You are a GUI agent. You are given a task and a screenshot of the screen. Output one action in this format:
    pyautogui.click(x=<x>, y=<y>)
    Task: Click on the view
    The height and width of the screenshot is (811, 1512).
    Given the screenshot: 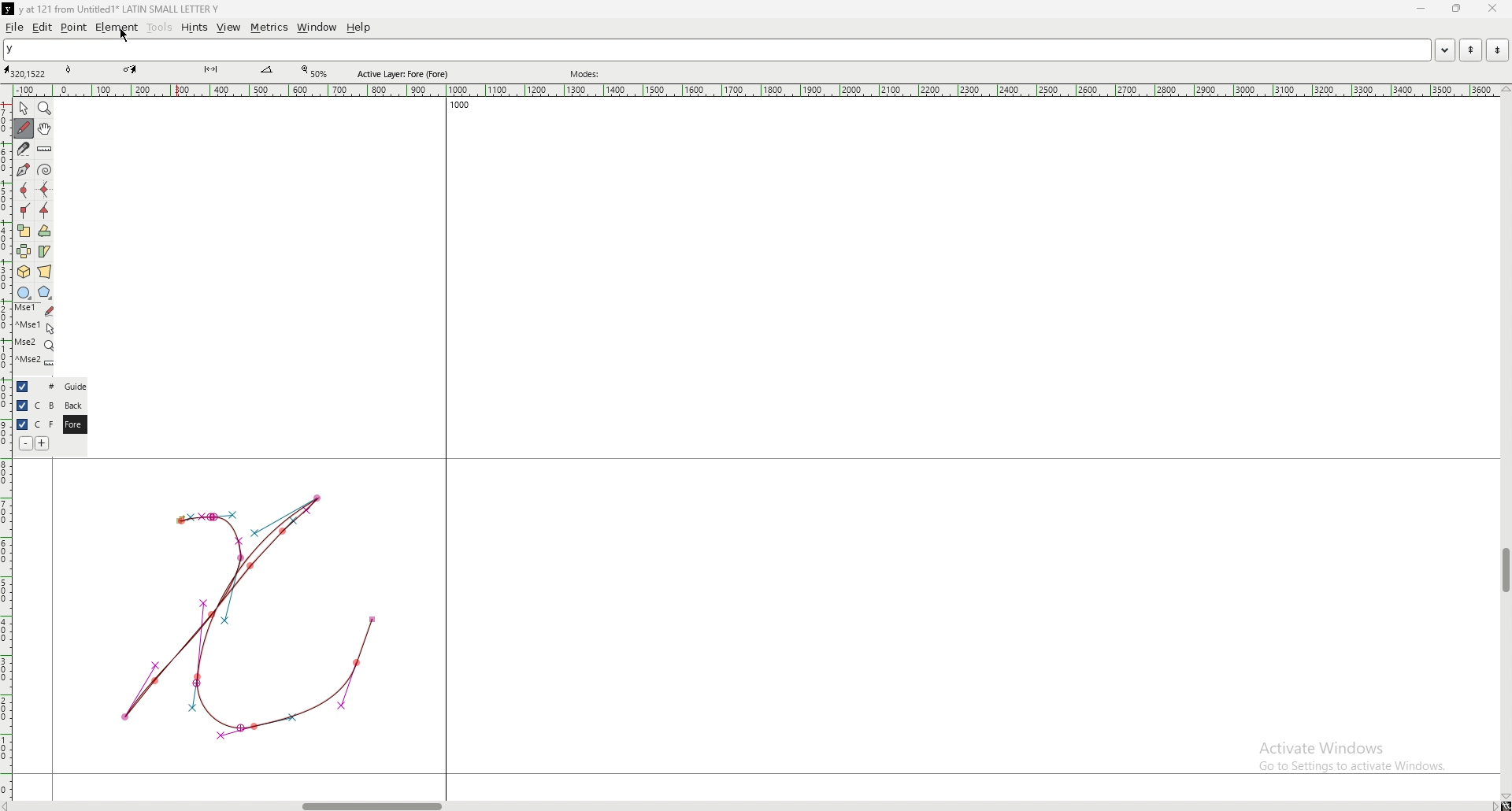 What is the action you would take?
    pyautogui.click(x=229, y=28)
    